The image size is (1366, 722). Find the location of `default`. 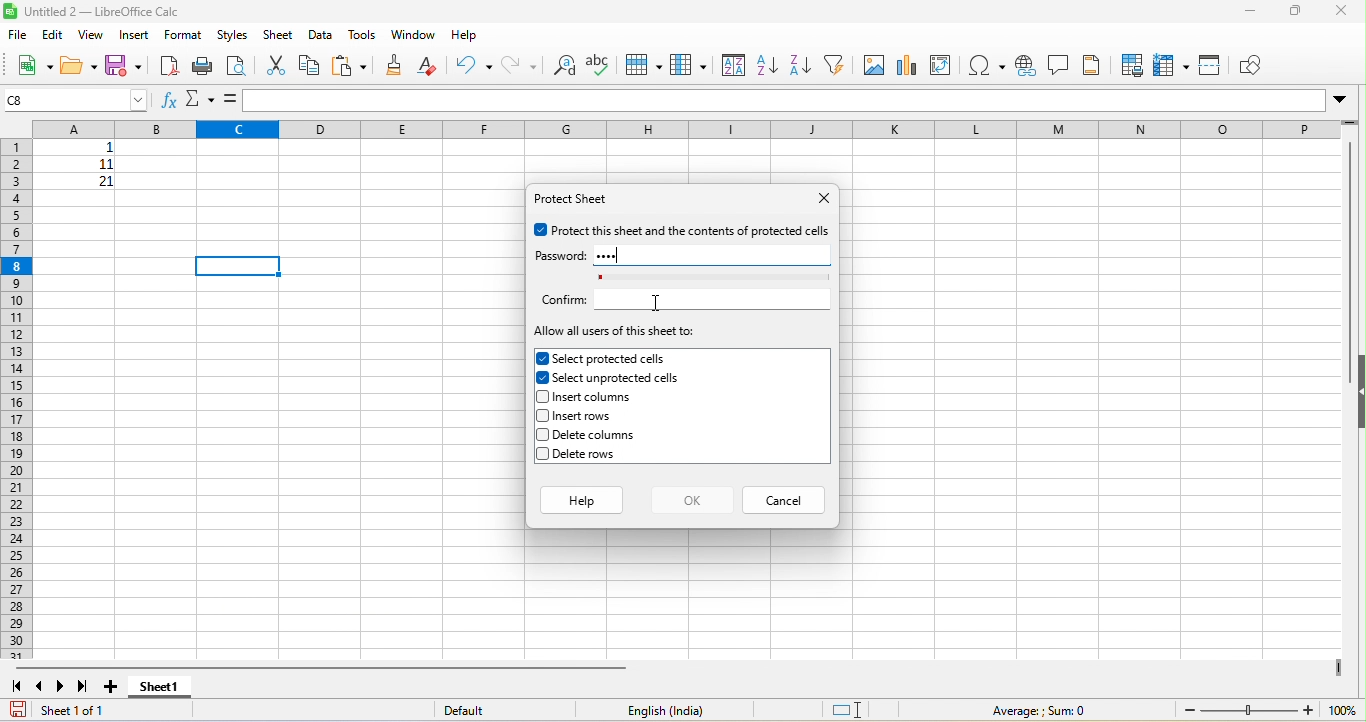

default is located at coordinates (478, 710).